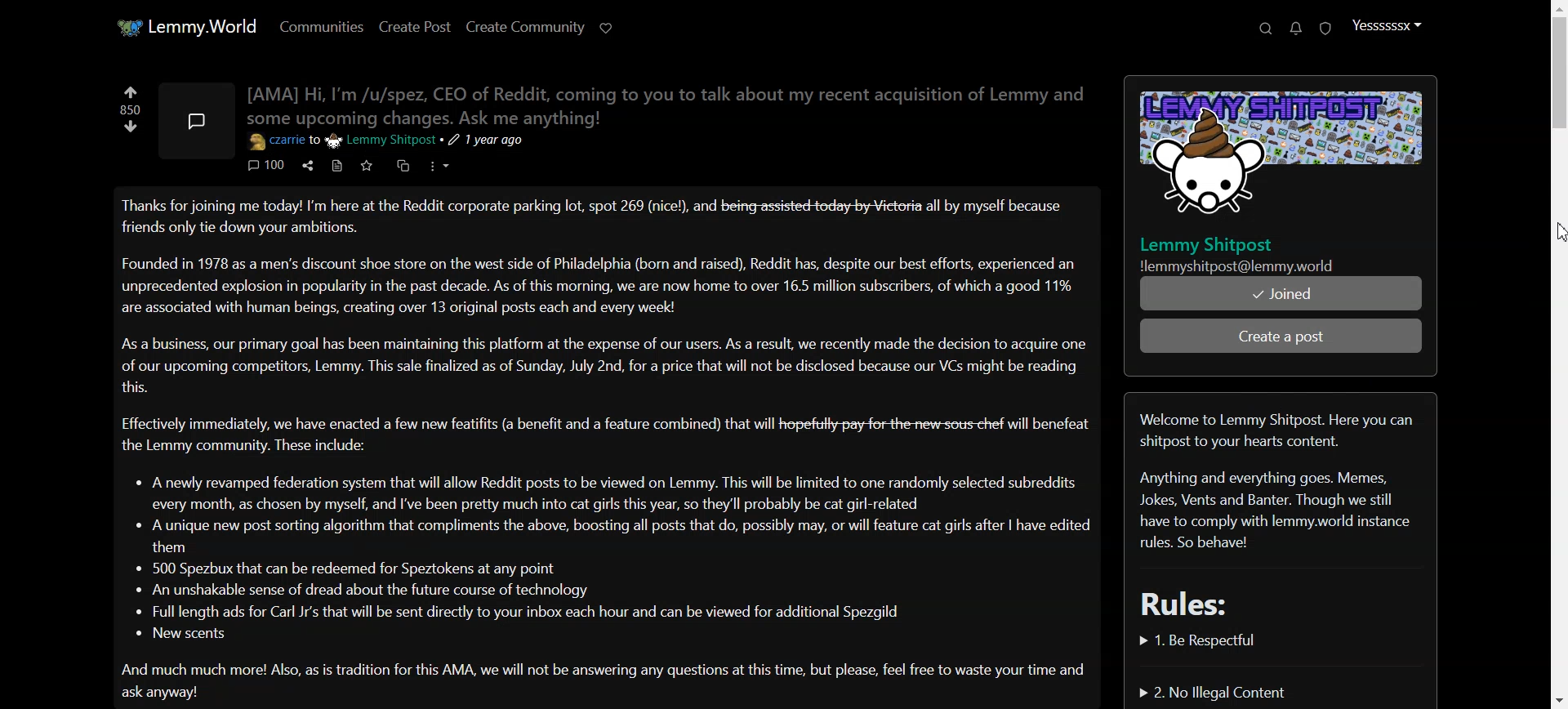 This screenshot has width=1568, height=709. What do you see at coordinates (385, 140) in the screenshot?
I see `Lemmy Shitpost` at bounding box center [385, 140].